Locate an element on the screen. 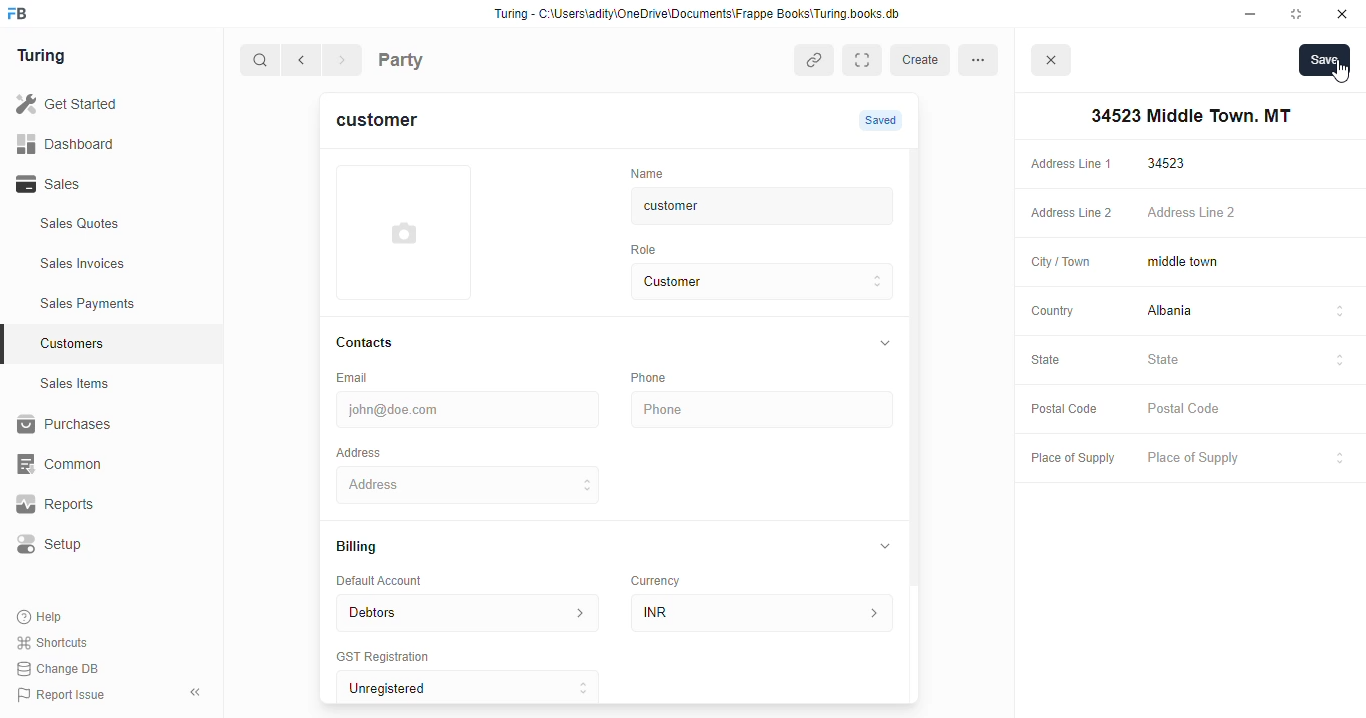 This screenshot has width=1366, height=718. customer is located at coordinates (389, 123).